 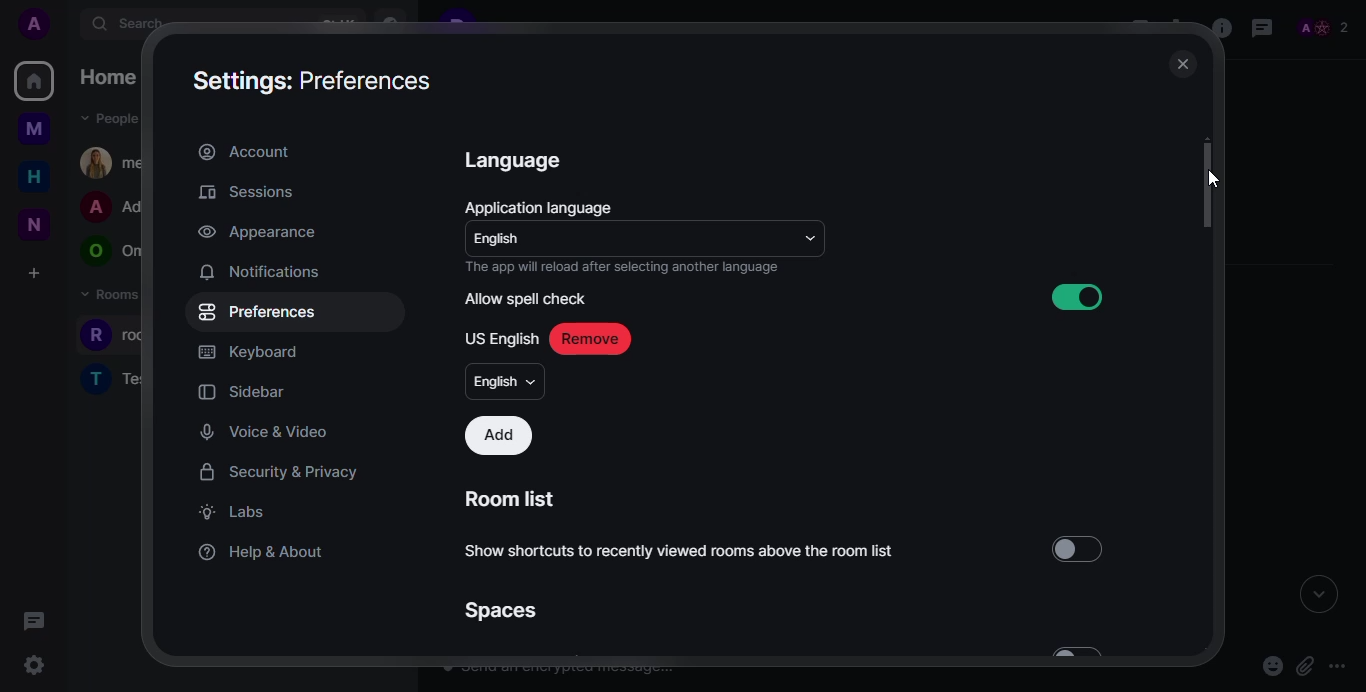 I want to click on close, so click(x=1181, y=65).